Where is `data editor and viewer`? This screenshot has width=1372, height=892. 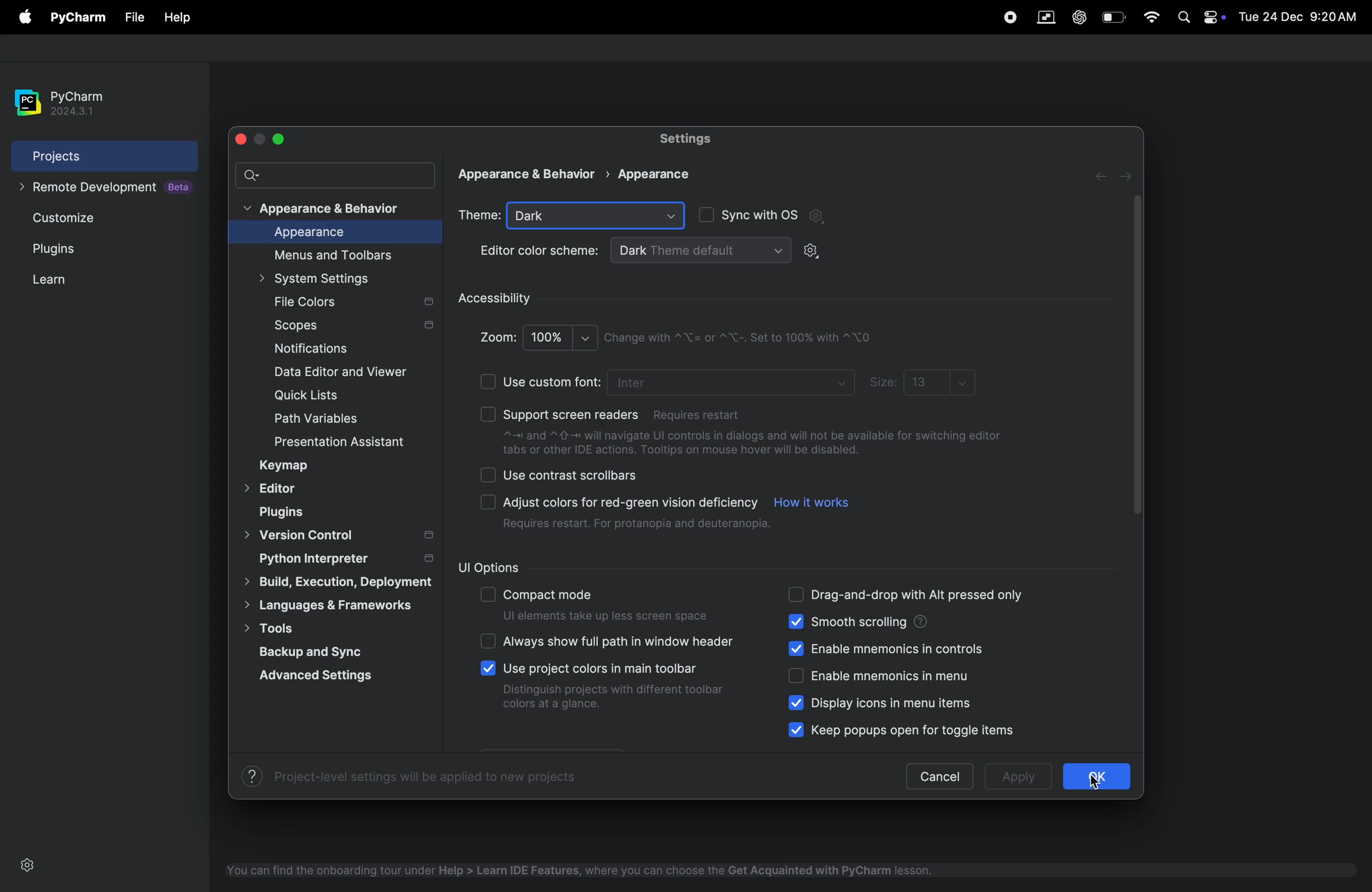
data editor and viewer is located at coordinates (346, 372).